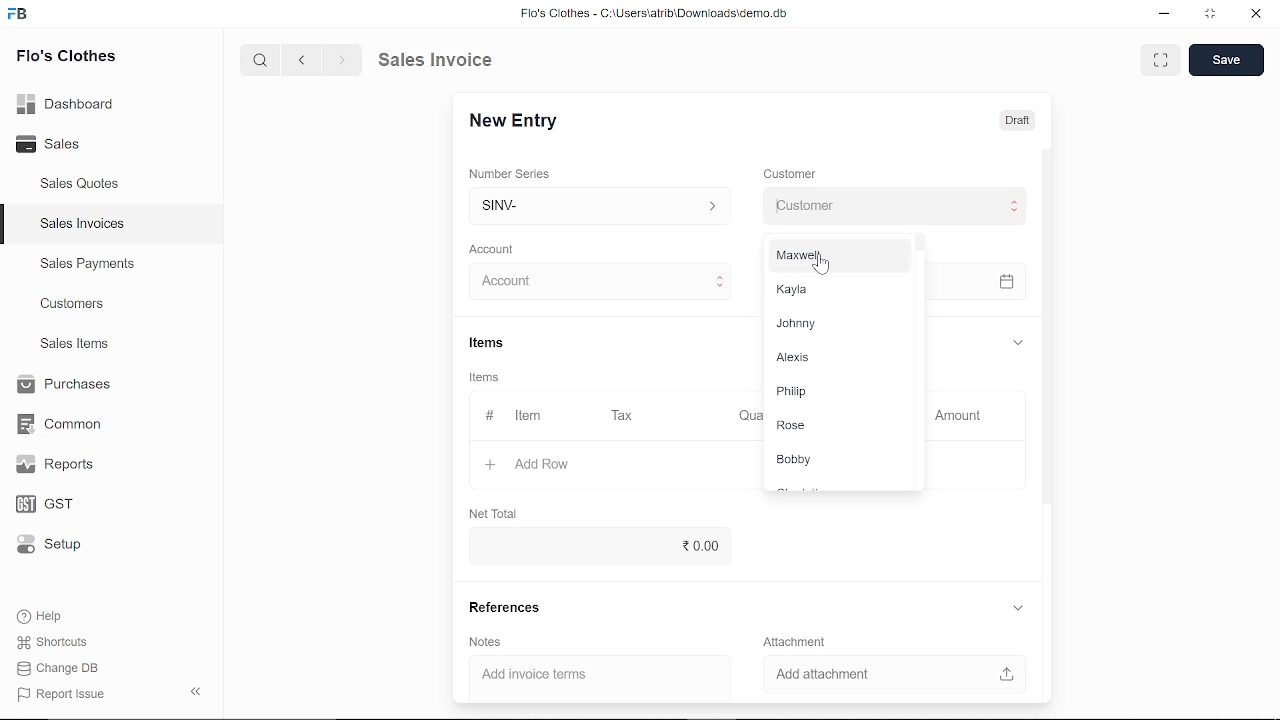  Describe the element at coordinates (82, 186) in the screenshot. I see `Sales Quotes` at that location.